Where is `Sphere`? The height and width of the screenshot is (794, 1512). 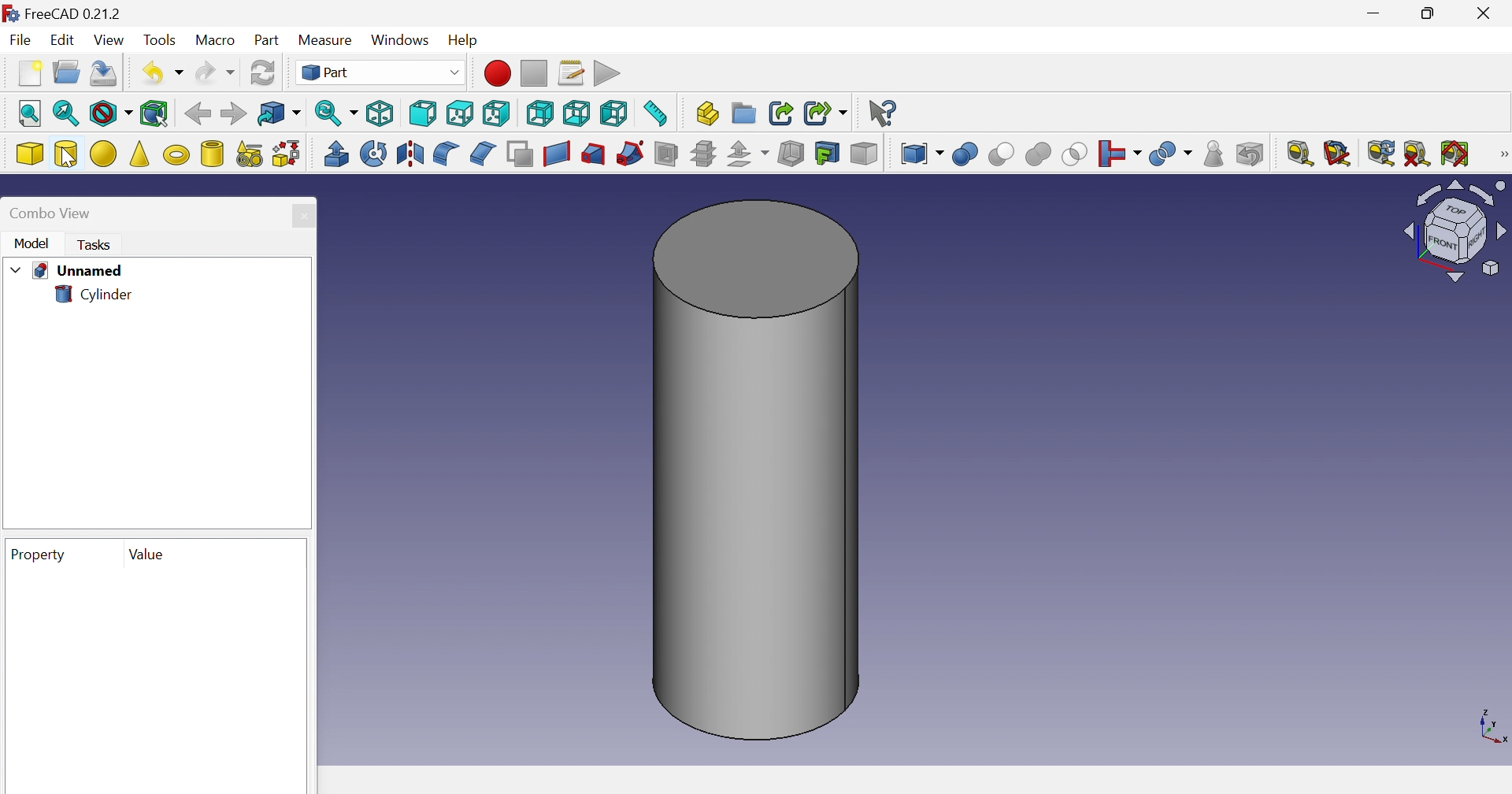 Sphere is located at coordinates (104, 154).